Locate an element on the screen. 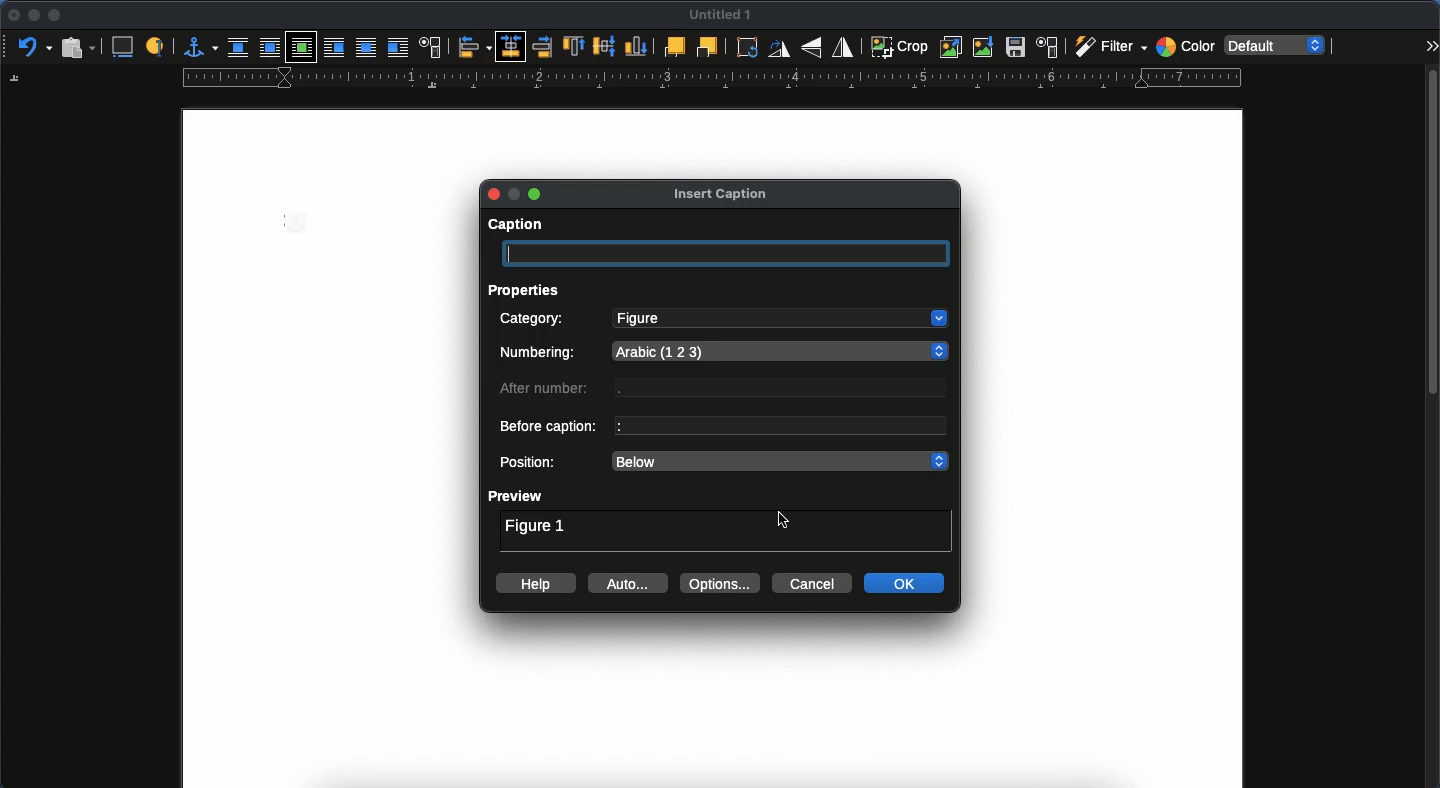  Close is located at coordinates (493, 193).